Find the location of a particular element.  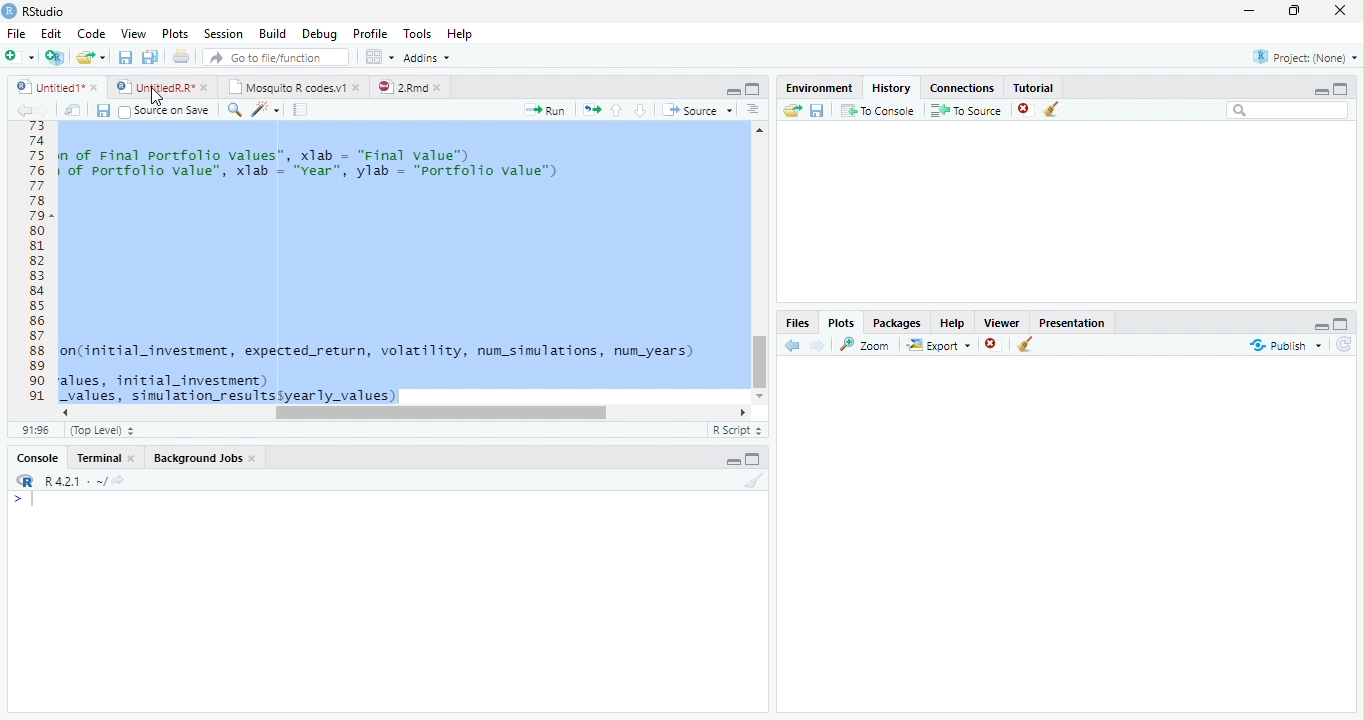

Console is located at coordinates (38, 457).